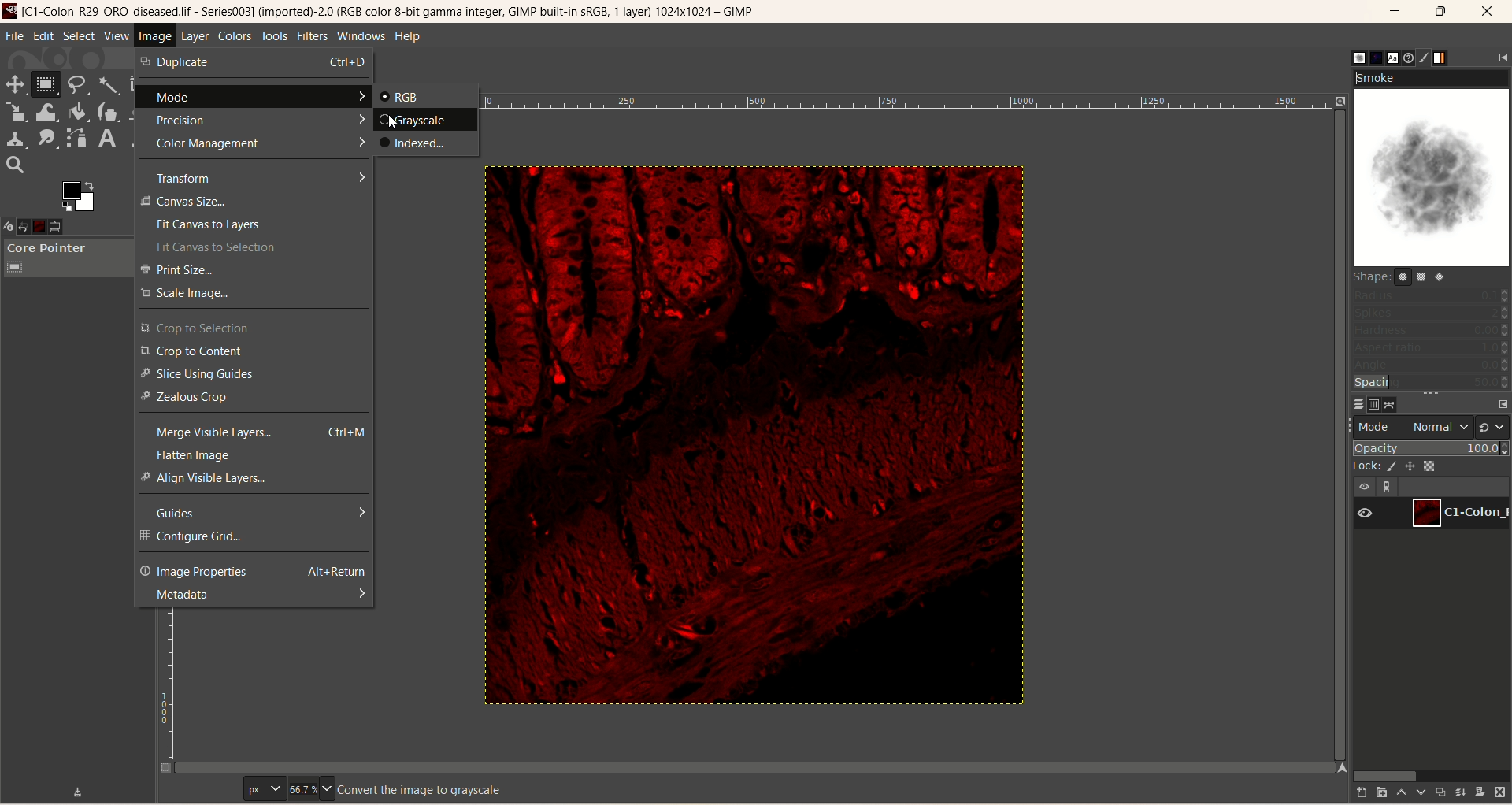  I want to click on fit canvas to selection, so click(248, 247).